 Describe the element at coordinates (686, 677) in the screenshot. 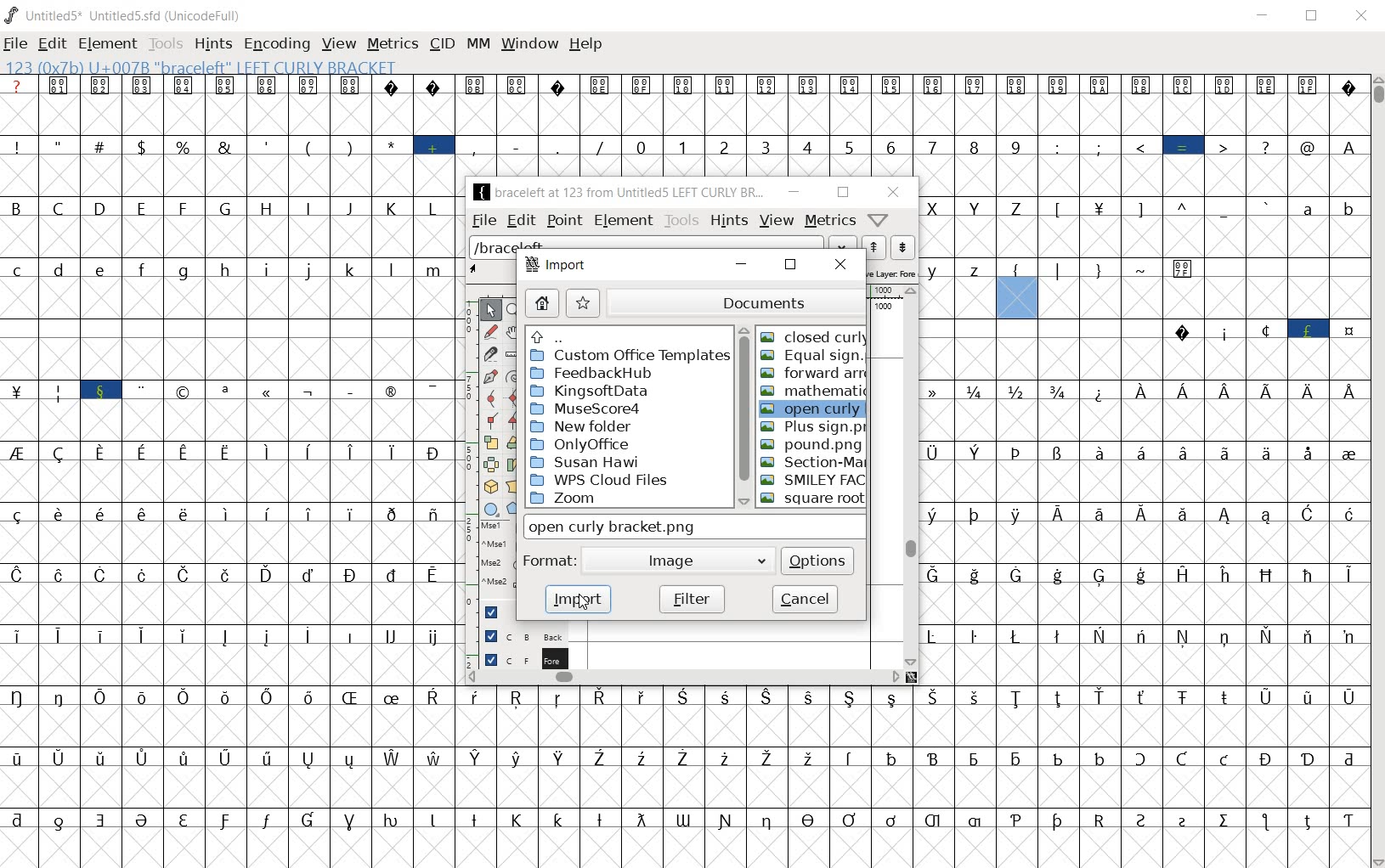

I see `scrollbar` at that location.